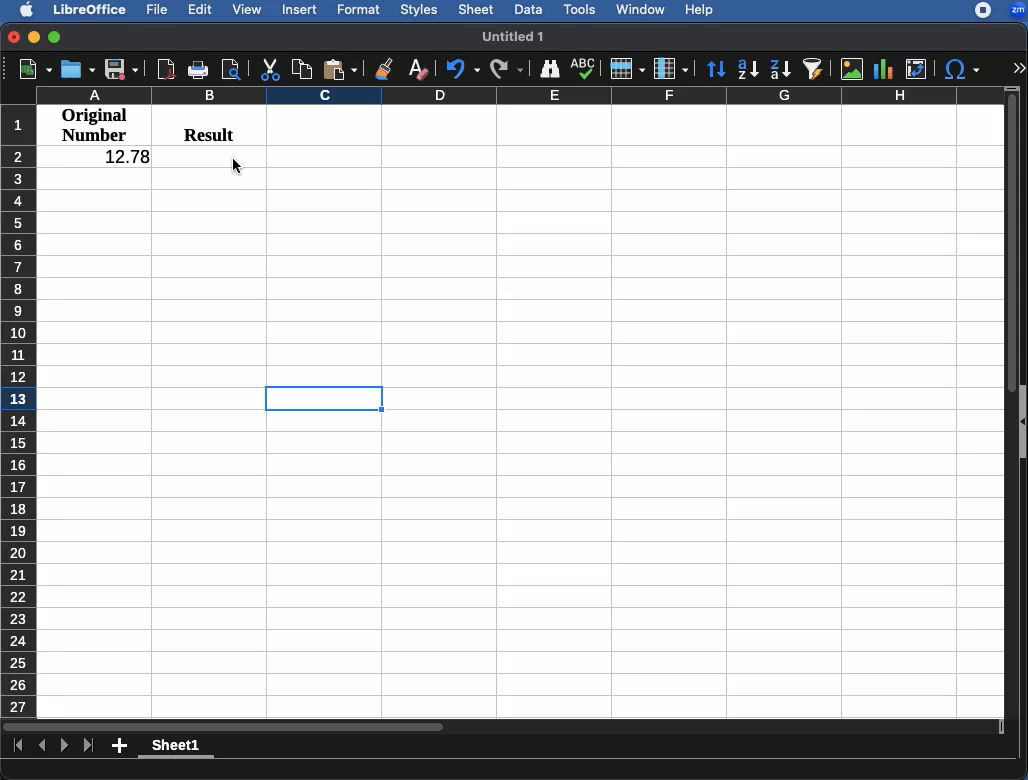 The width and height of the screenshot is (1028, 780). I want to click on Column, so click(671, 69).